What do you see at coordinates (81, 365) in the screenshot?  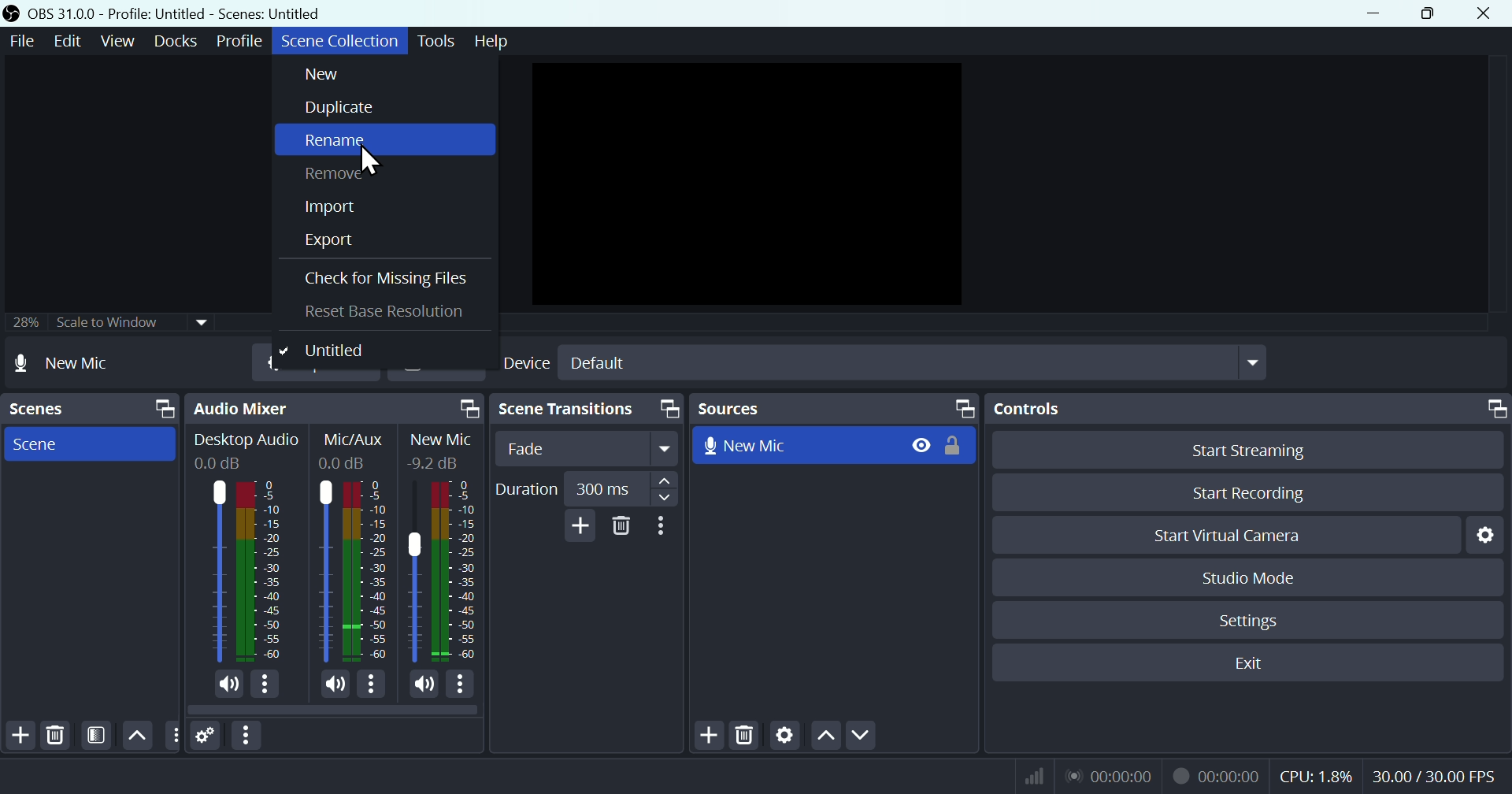 I see `New mic` at bounding box center [81, 365].